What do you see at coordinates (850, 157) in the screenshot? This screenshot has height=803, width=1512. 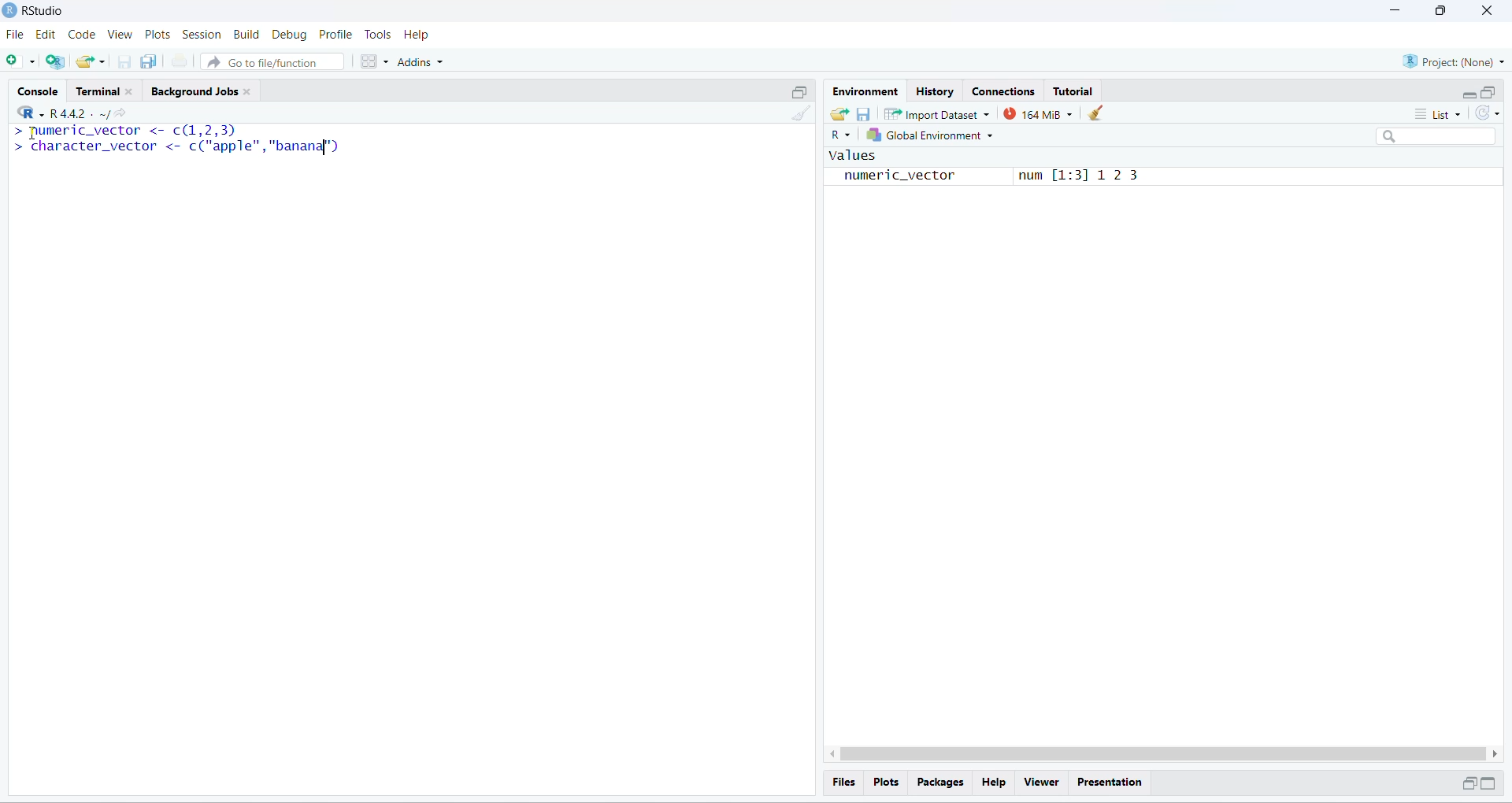 I see `values` at bounding box center [850, 157].